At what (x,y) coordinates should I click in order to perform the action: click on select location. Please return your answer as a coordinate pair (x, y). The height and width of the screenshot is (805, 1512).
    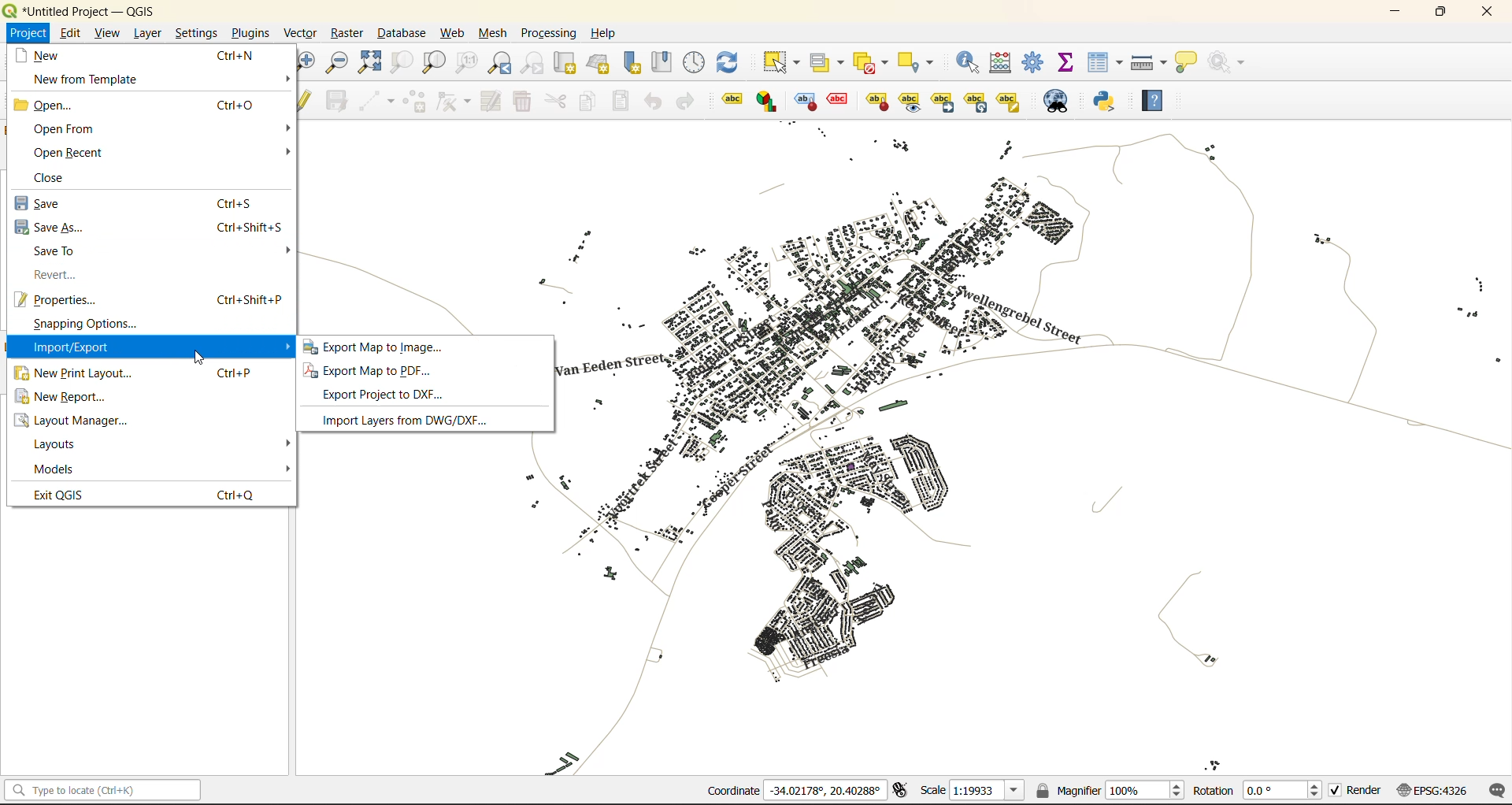
    Looking at the image, I should click on (921, 61).